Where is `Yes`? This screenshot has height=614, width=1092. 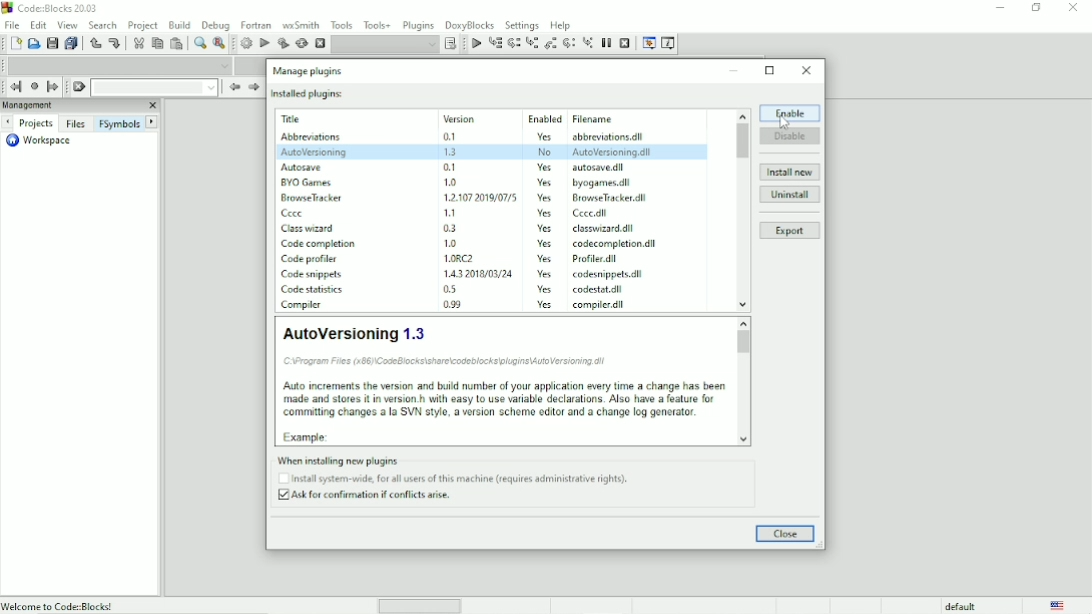
Yes is located at coordinates (545, 304).